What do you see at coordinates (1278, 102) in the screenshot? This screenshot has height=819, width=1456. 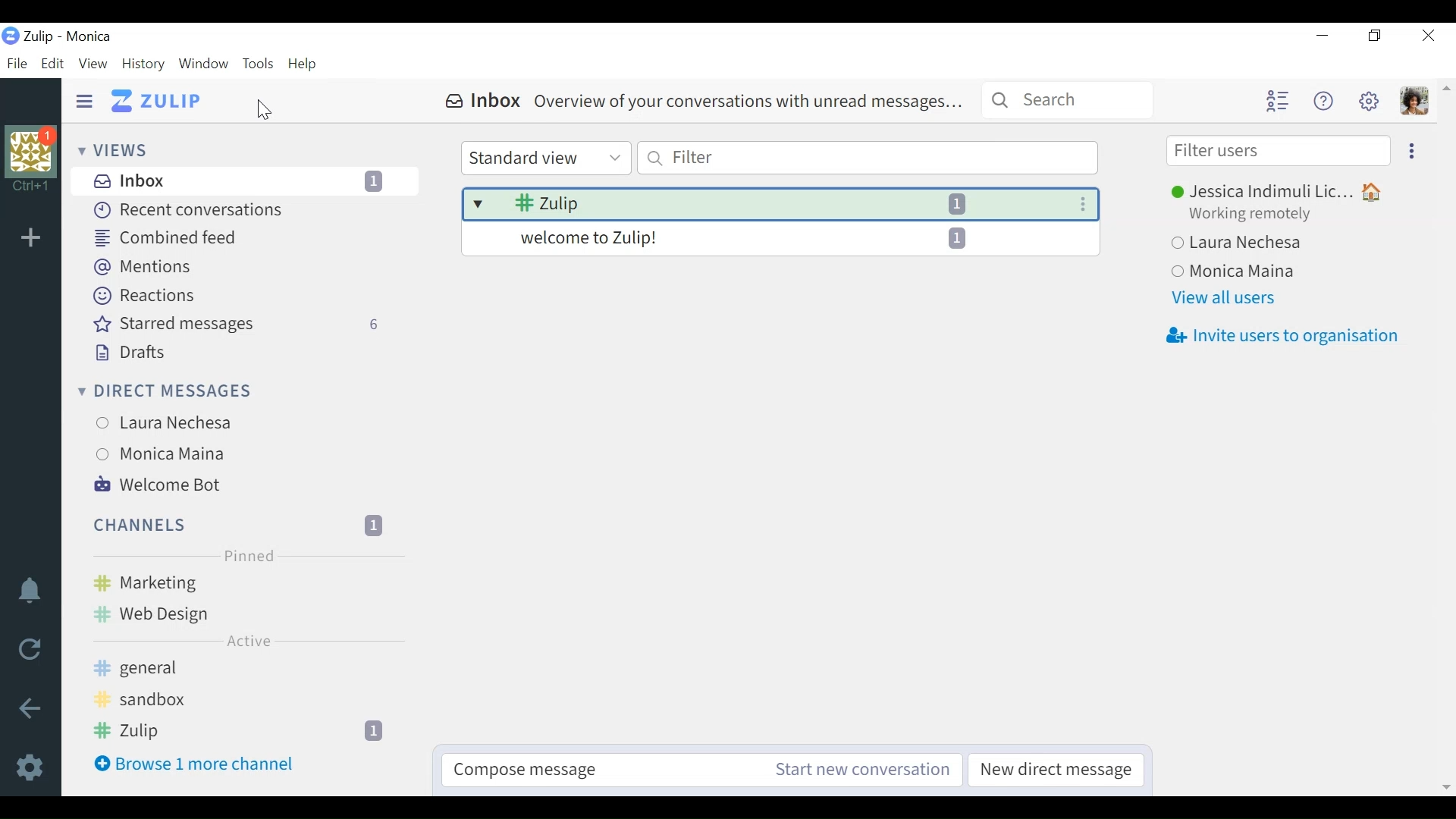 I see `Hide user list` at bounding box center [1278, 102].